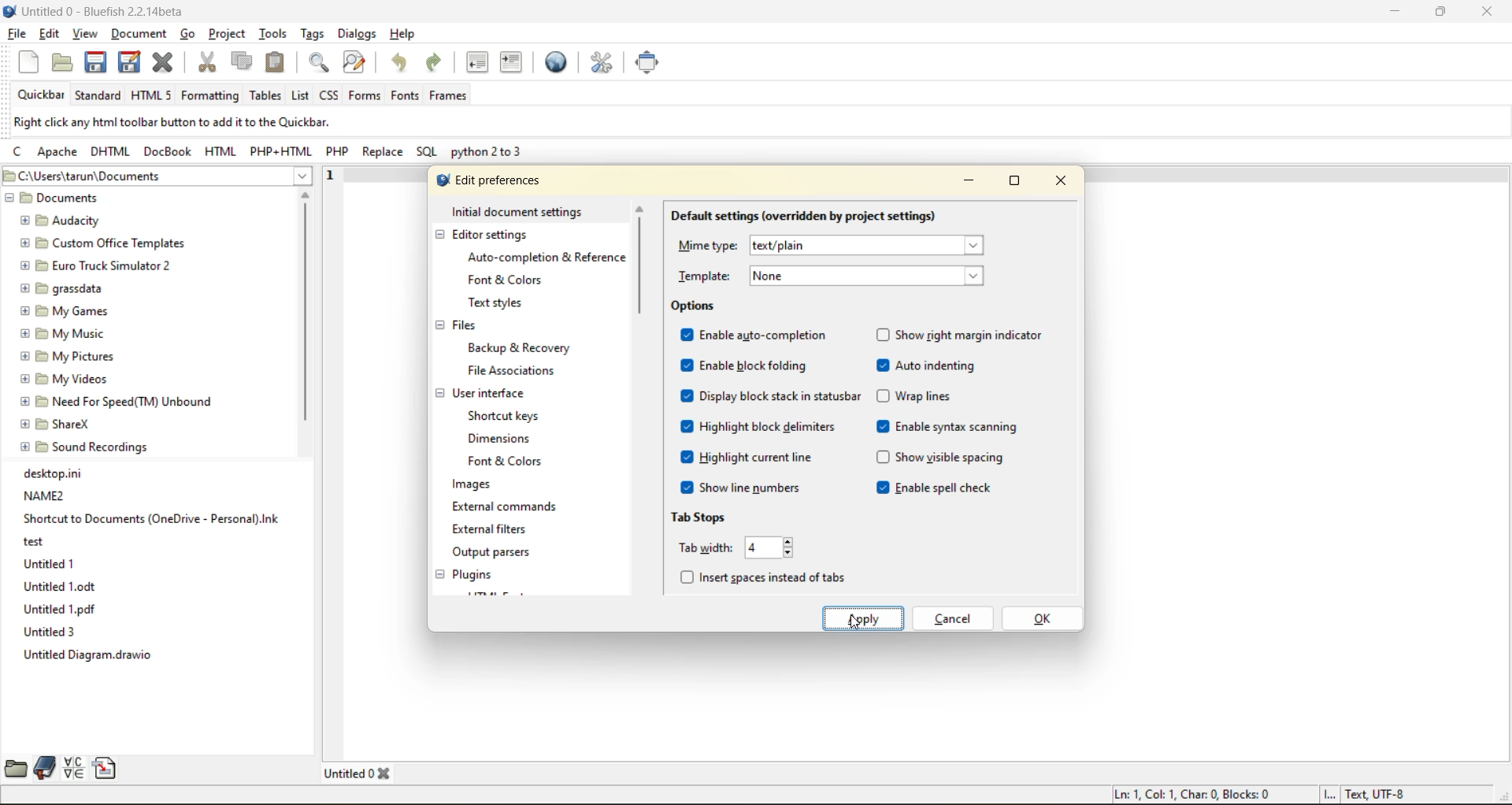 The height and width of the screenshot is (805, 1512). Describe the element at coordinates (494, 236) in the screenshot. I see `editor settings` at that location.